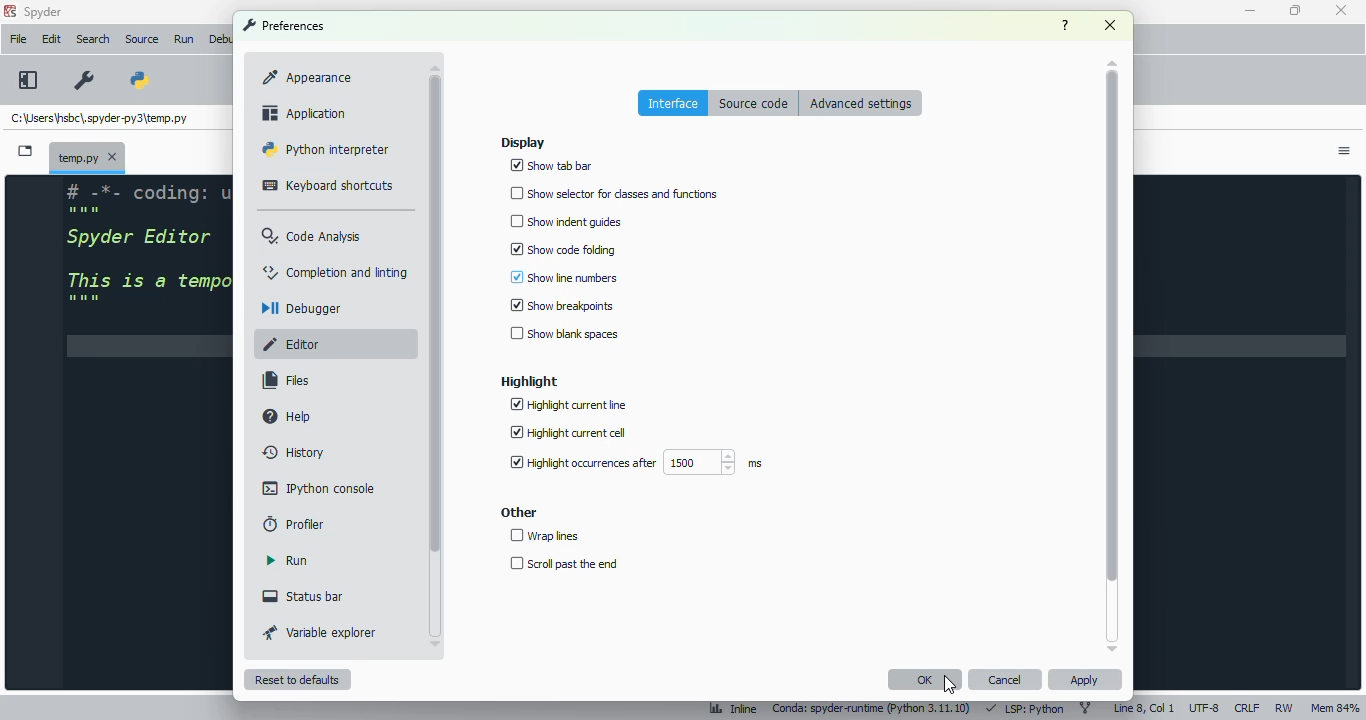 Image resolution: width=1366 pixels, height=720 pixels. Describe the element at coordinates (567, 433) in the screenshot. I see `highlight current cell` at that location.